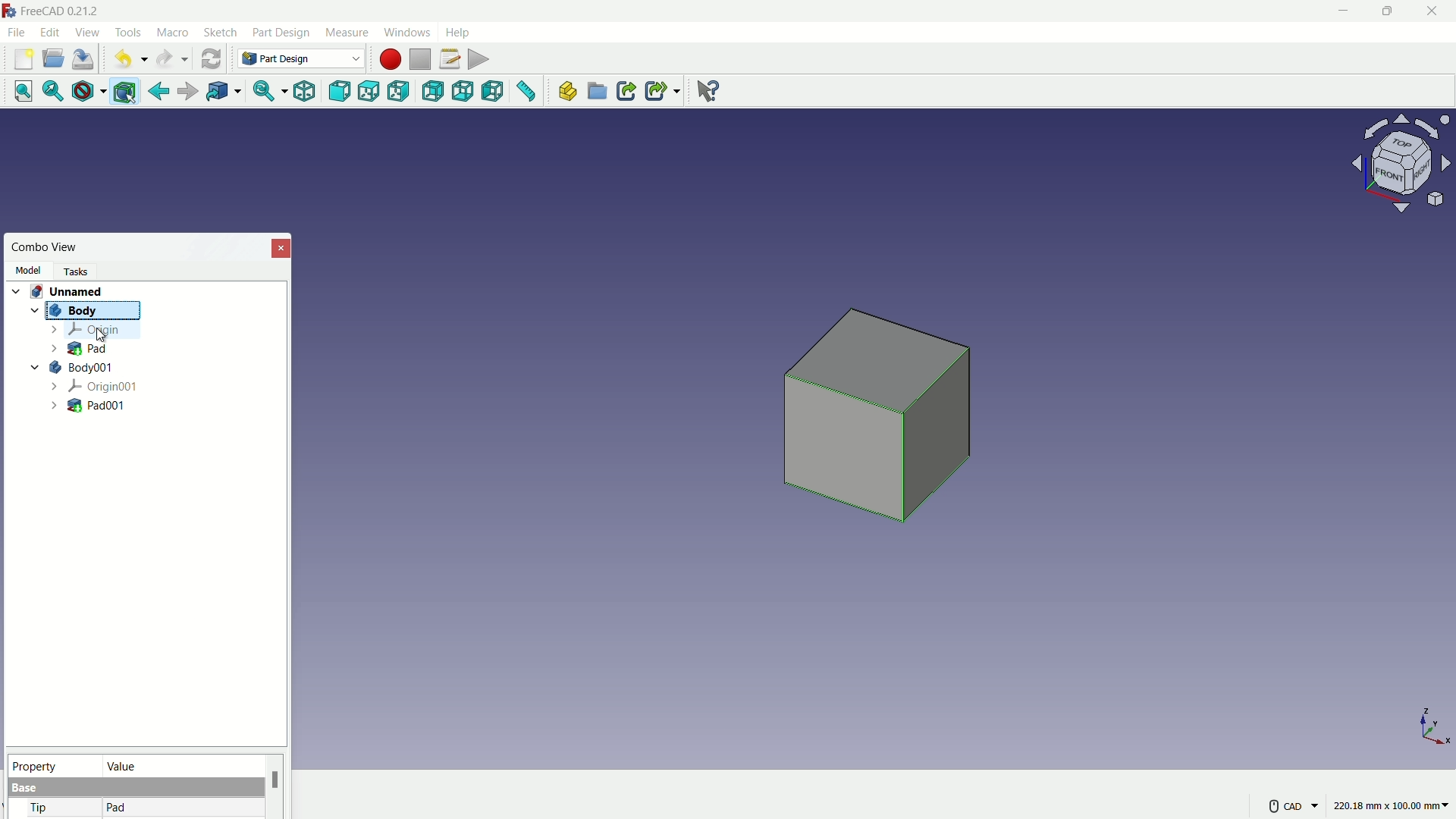  I want to click on close, so click(282, 247).